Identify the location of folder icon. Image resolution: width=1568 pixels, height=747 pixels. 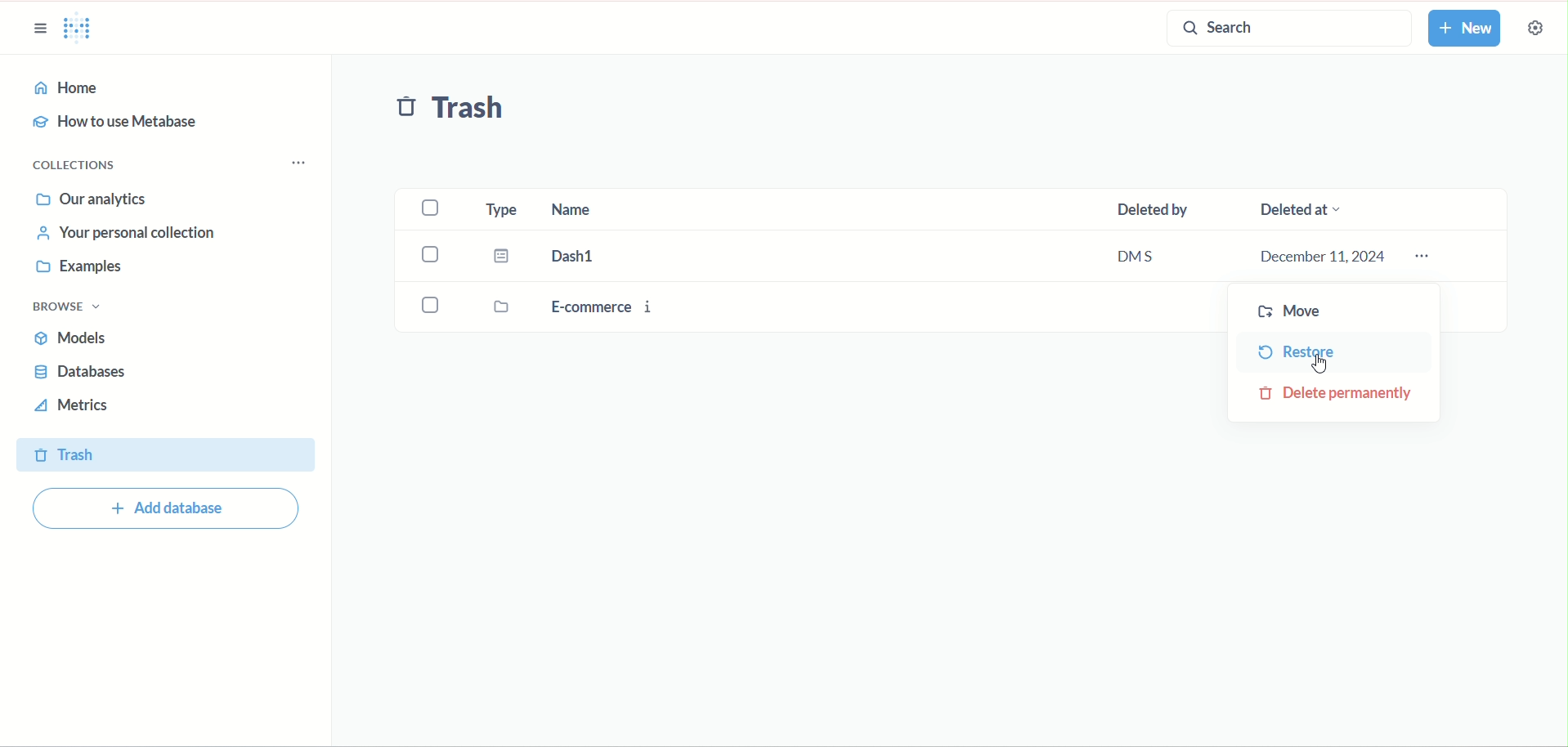
(508, 309).